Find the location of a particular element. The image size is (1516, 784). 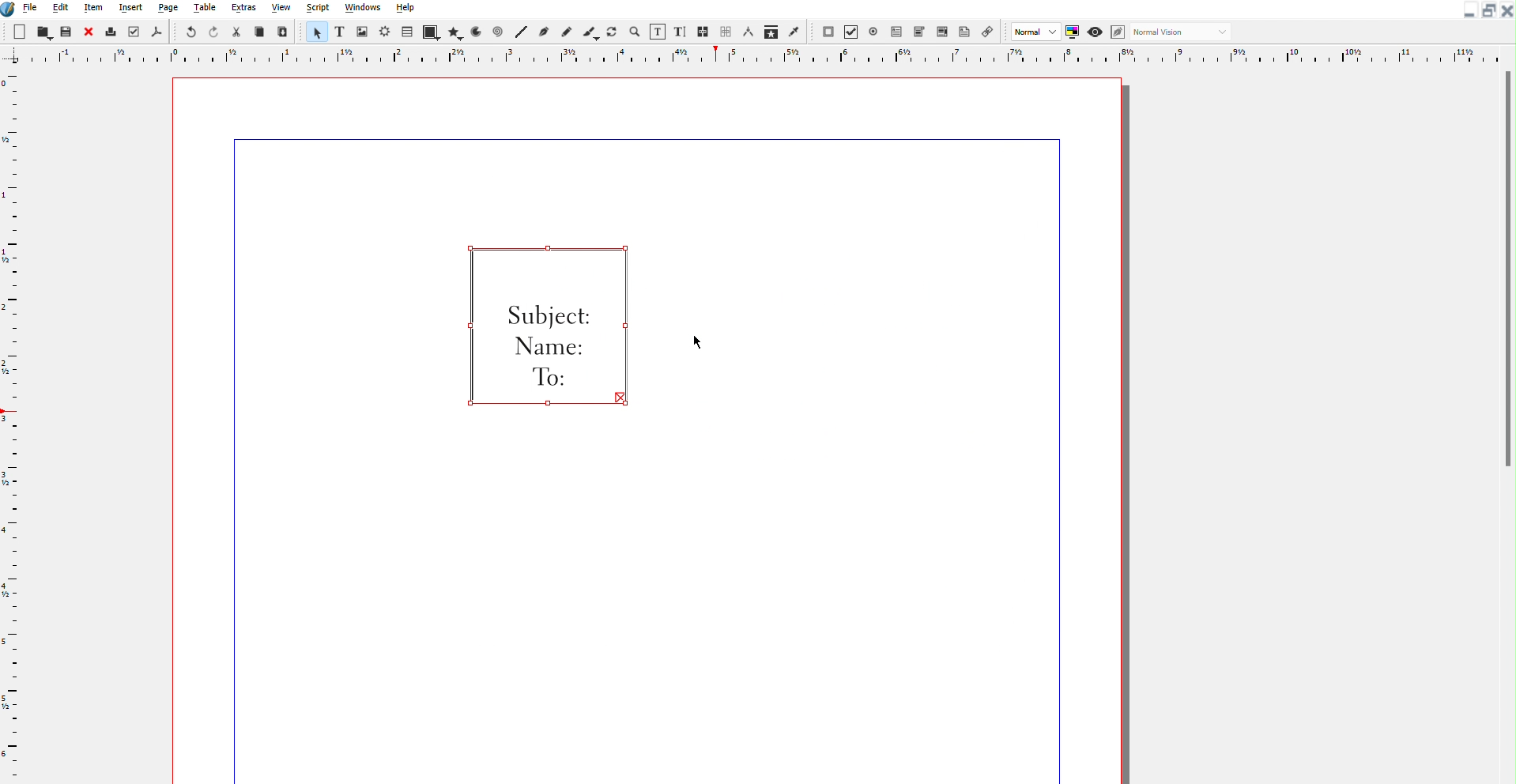

Arc is located at coordinates (476, 32).